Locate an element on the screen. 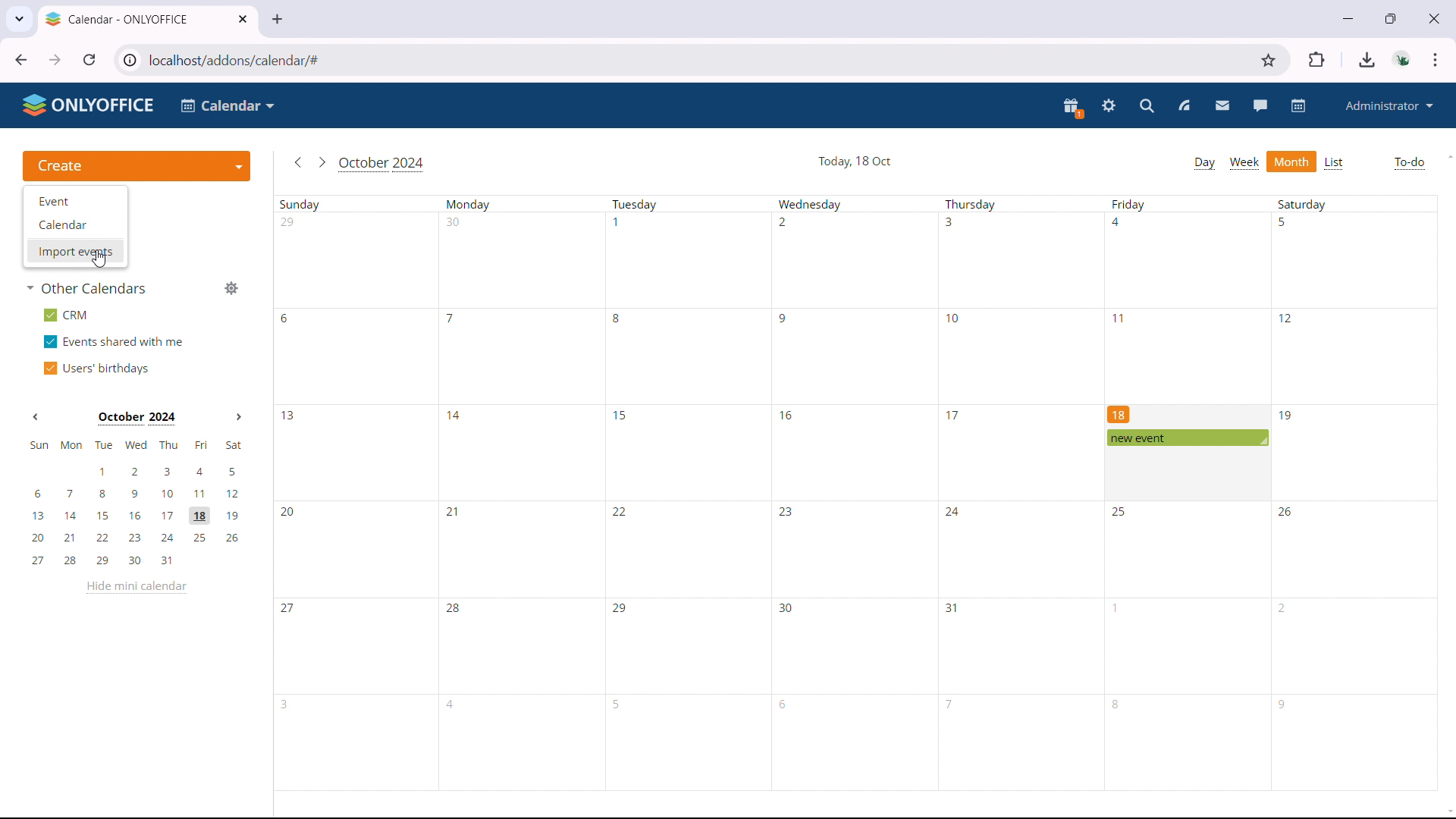 The image size is (1456, 819). calendar is located at coordinates (1300, 105).